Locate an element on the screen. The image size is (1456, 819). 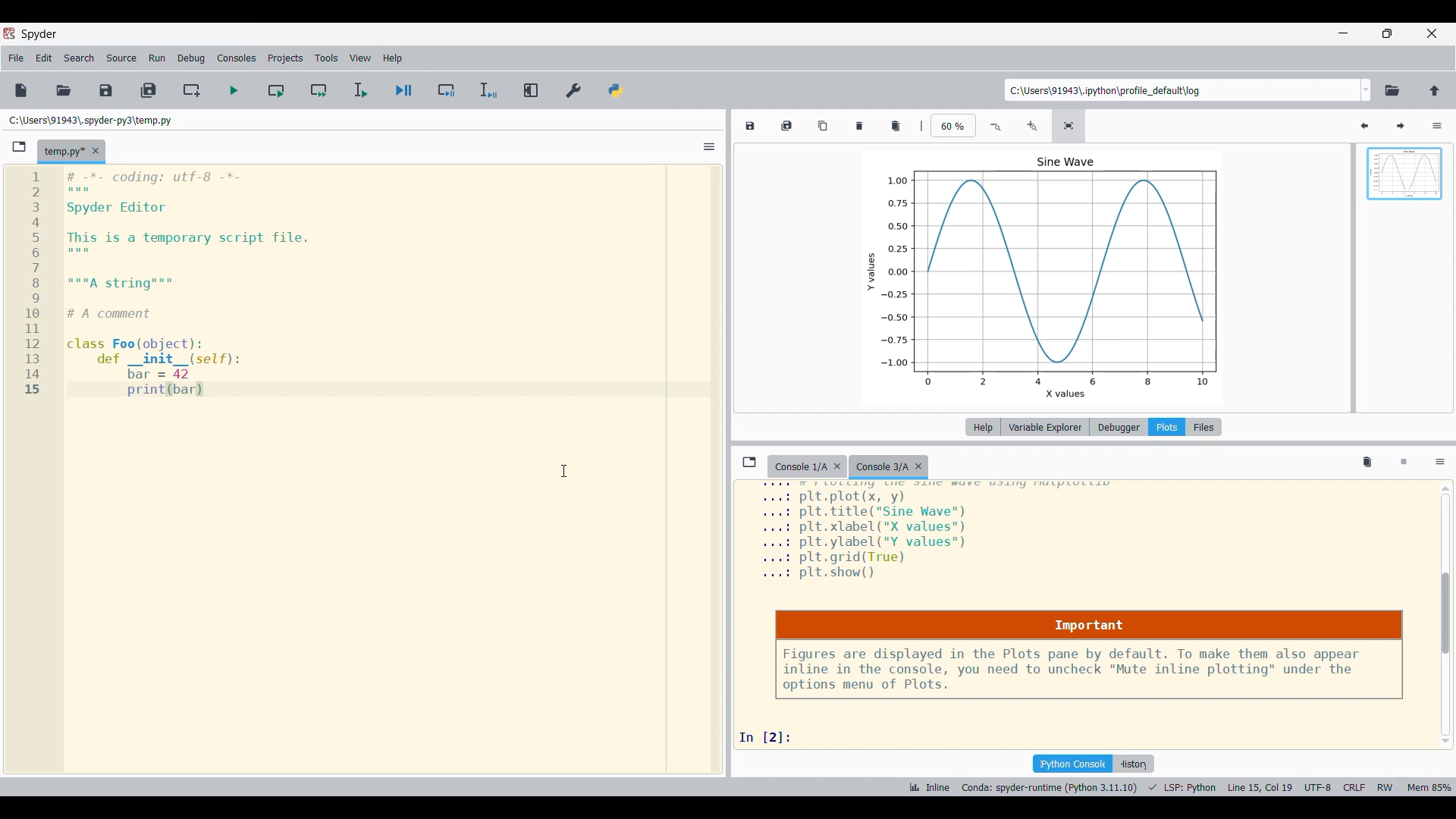
Input zoom factor is located at coordinates (954, 125).